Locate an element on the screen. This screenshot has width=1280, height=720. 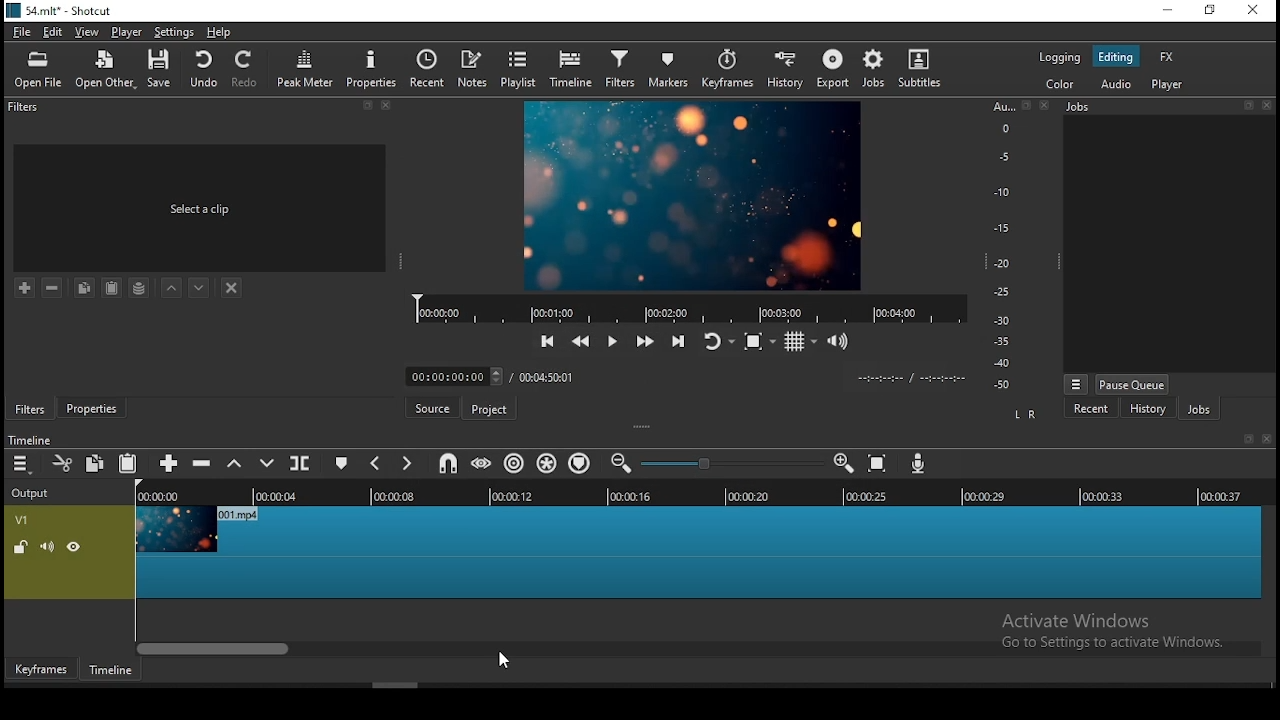
minimize is located at coordinates (1167, 11).